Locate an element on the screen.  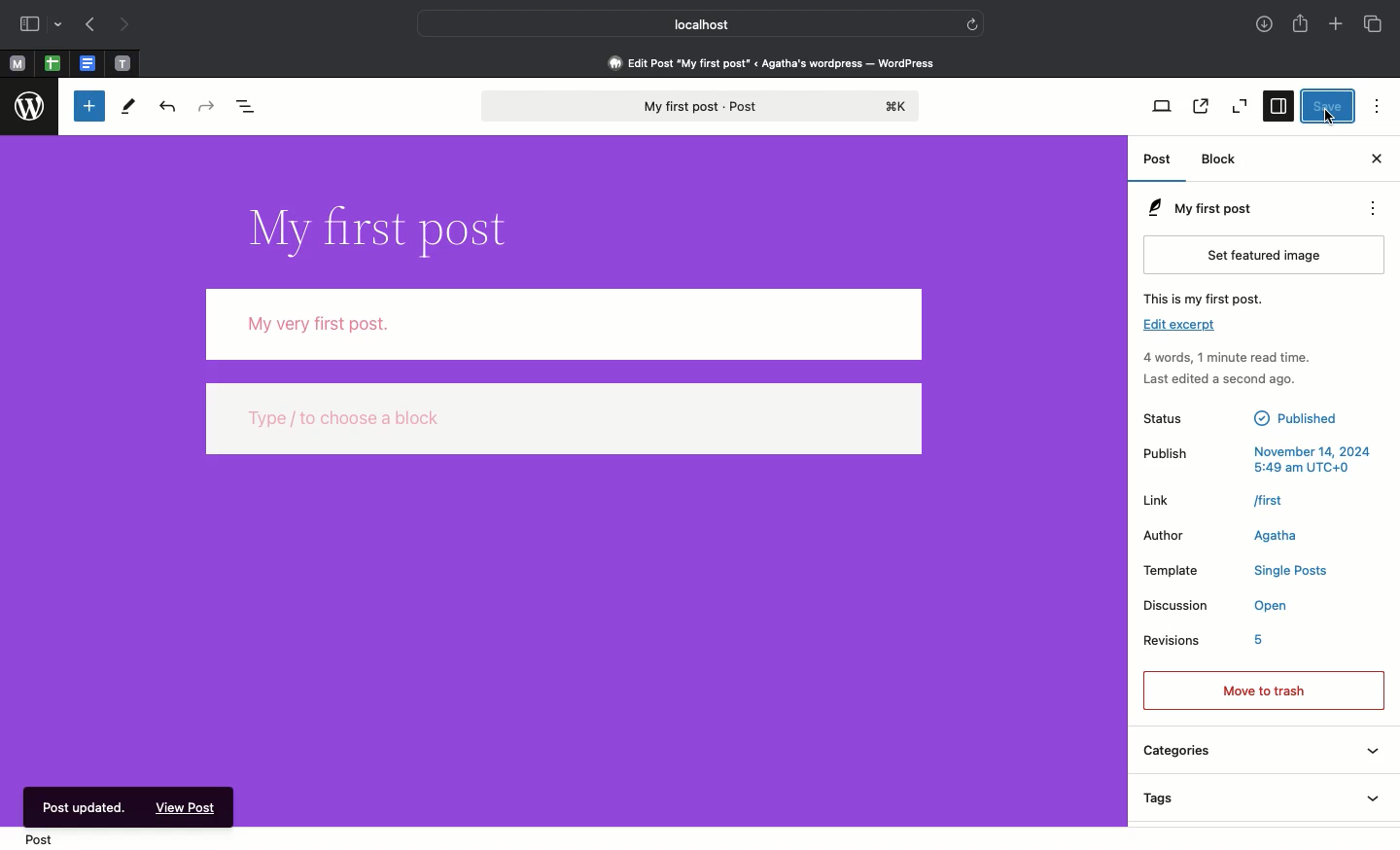
Post is located at coordinates (1160, 162).